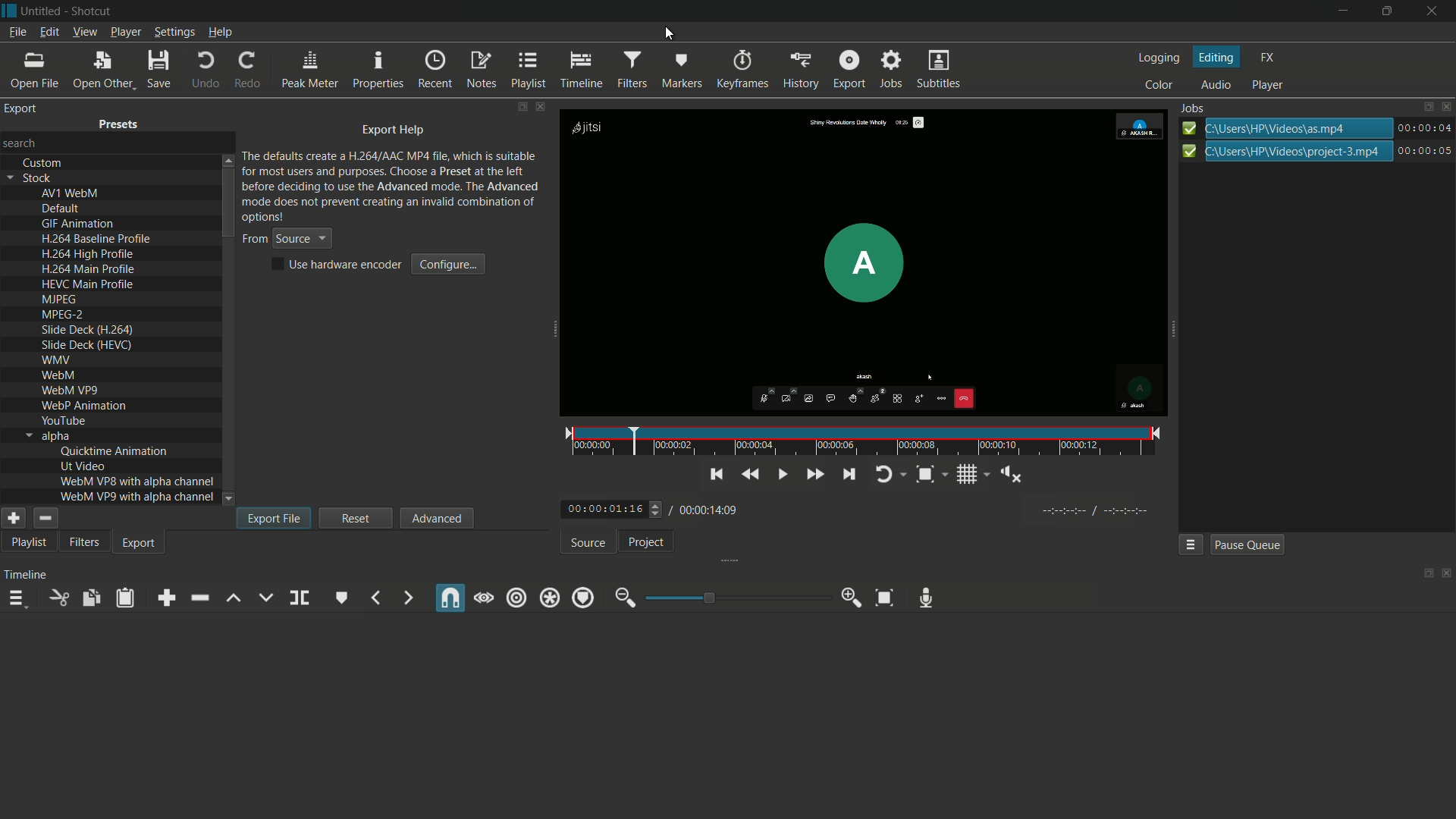  I want to click on “\Users\HP\Videos\as.mp4, so click(1316, 130).